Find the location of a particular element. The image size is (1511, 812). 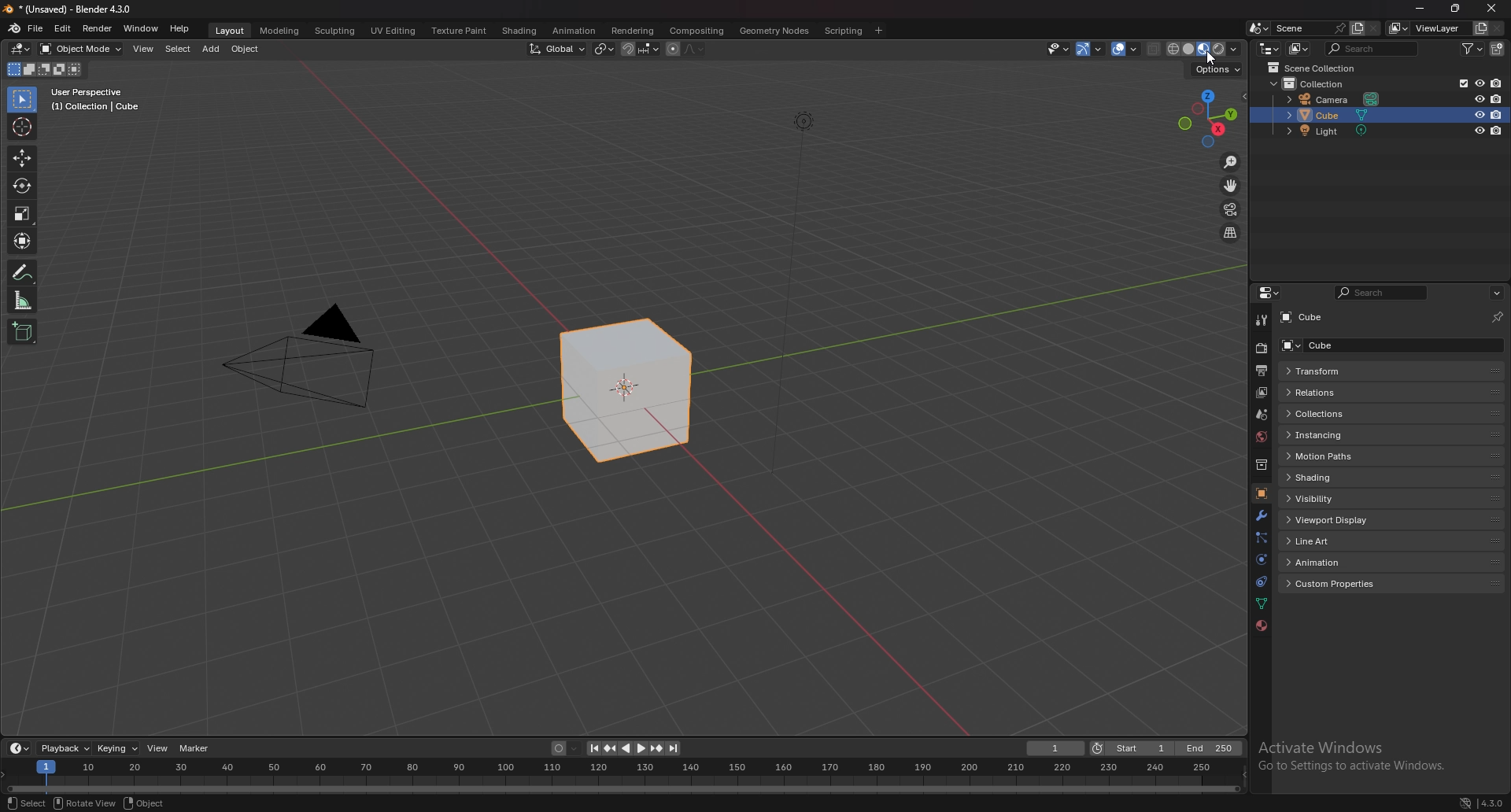

view layer is located at coordinates (1259, 393).